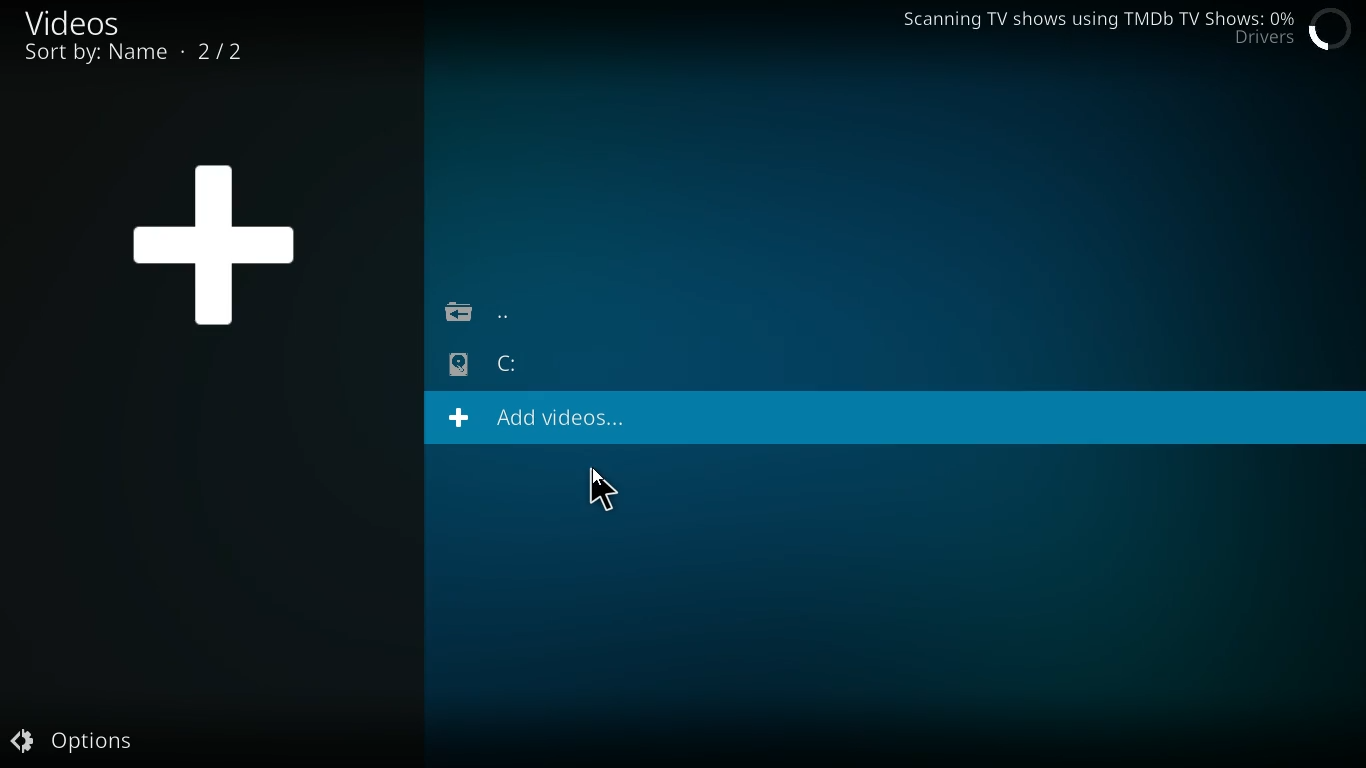 This screenshot has width=1366, height=768. Describe the element at coordinates (1095, 31) in the screenshot. I see `Scanning TV shows using TMDb TV Shows: 0%
Drivers` at that location.